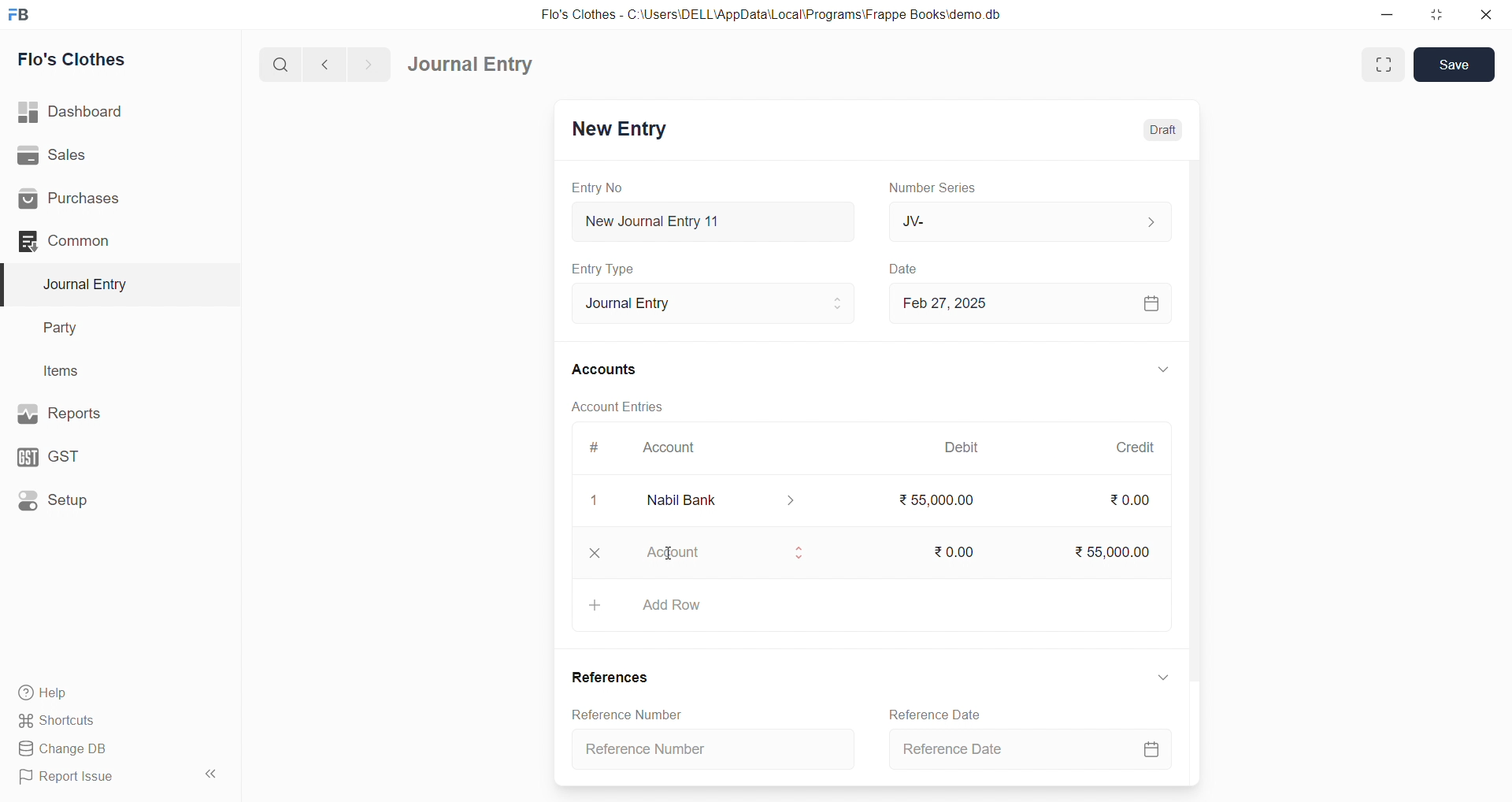 The height and width of the screenshot is (802, 1512). I want to click on GST, so click(86, 457).